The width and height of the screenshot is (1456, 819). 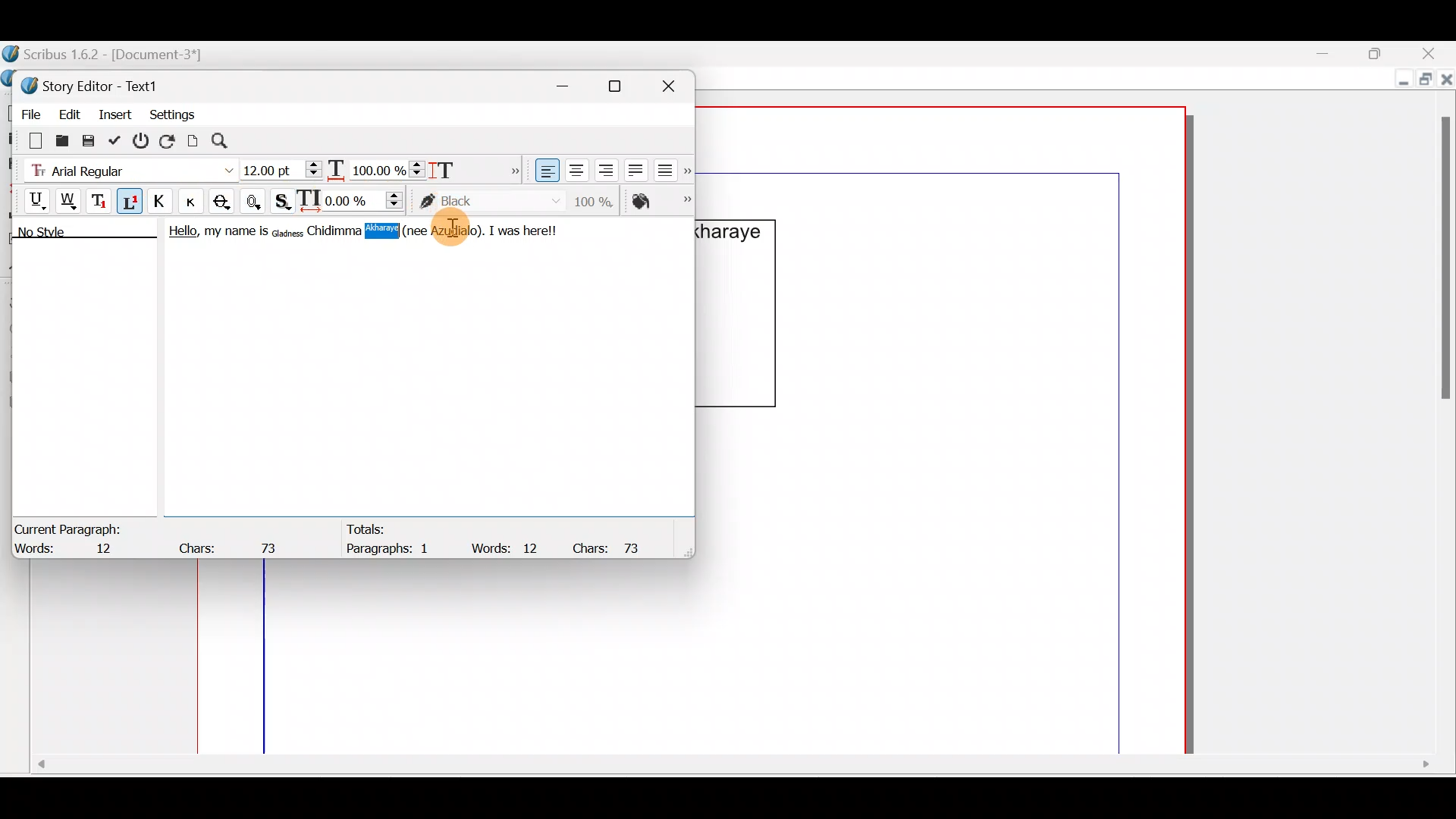 I want to click on Minimize, so click(x=571, y=83).